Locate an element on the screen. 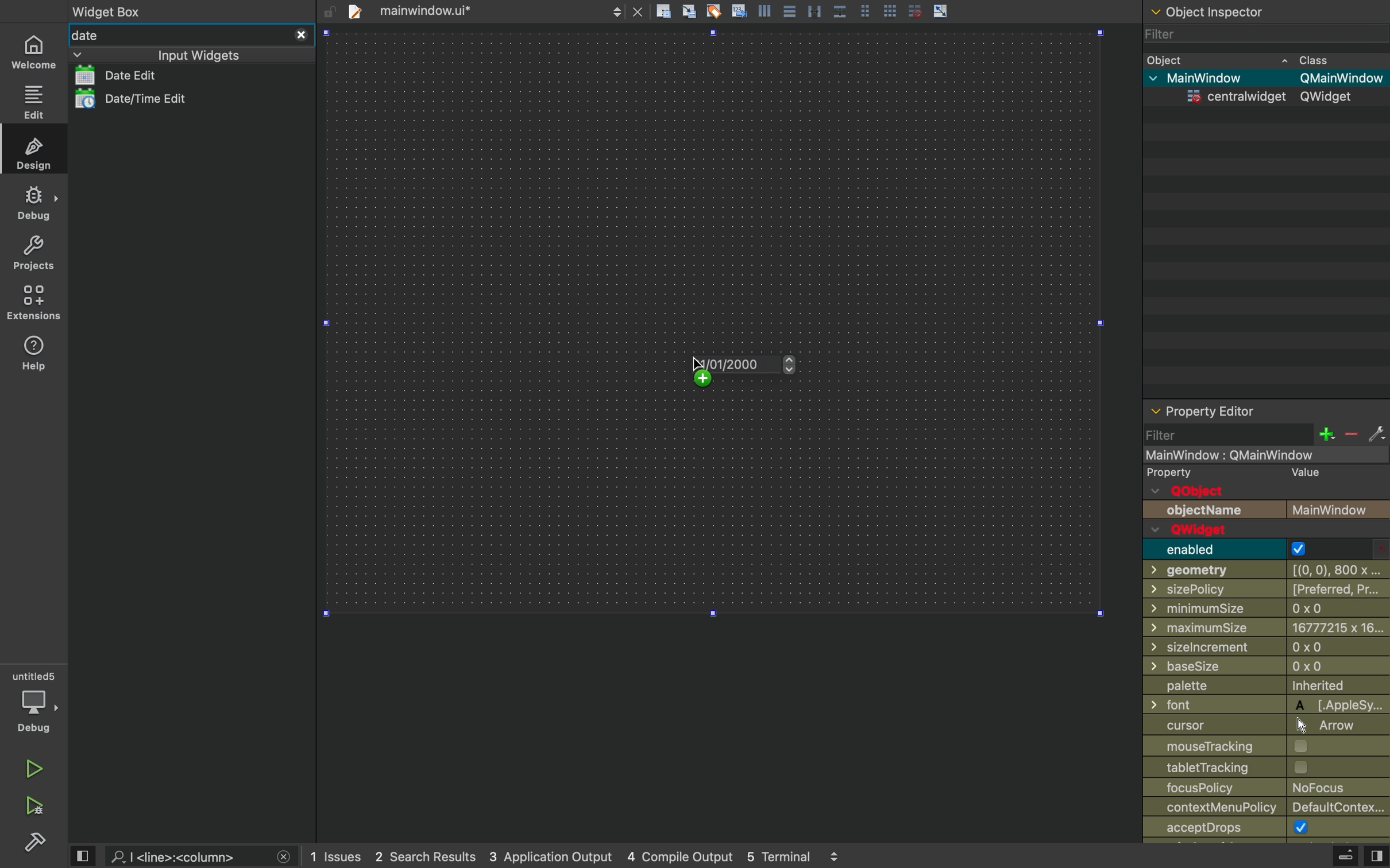  mousetrtacking is located at coordinates (1259, 747).